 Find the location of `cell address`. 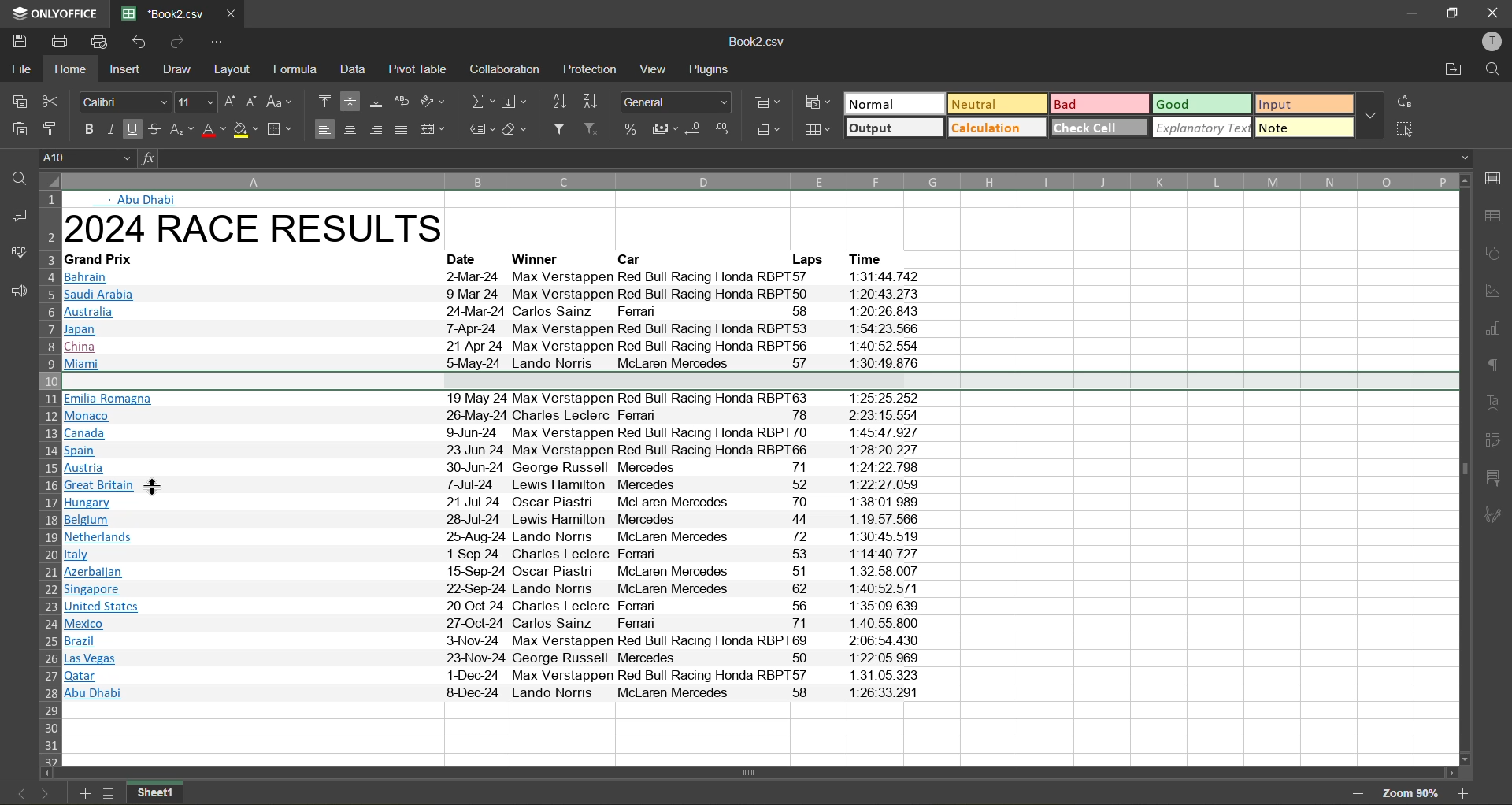

cell address is located at coordinates (84, 158).